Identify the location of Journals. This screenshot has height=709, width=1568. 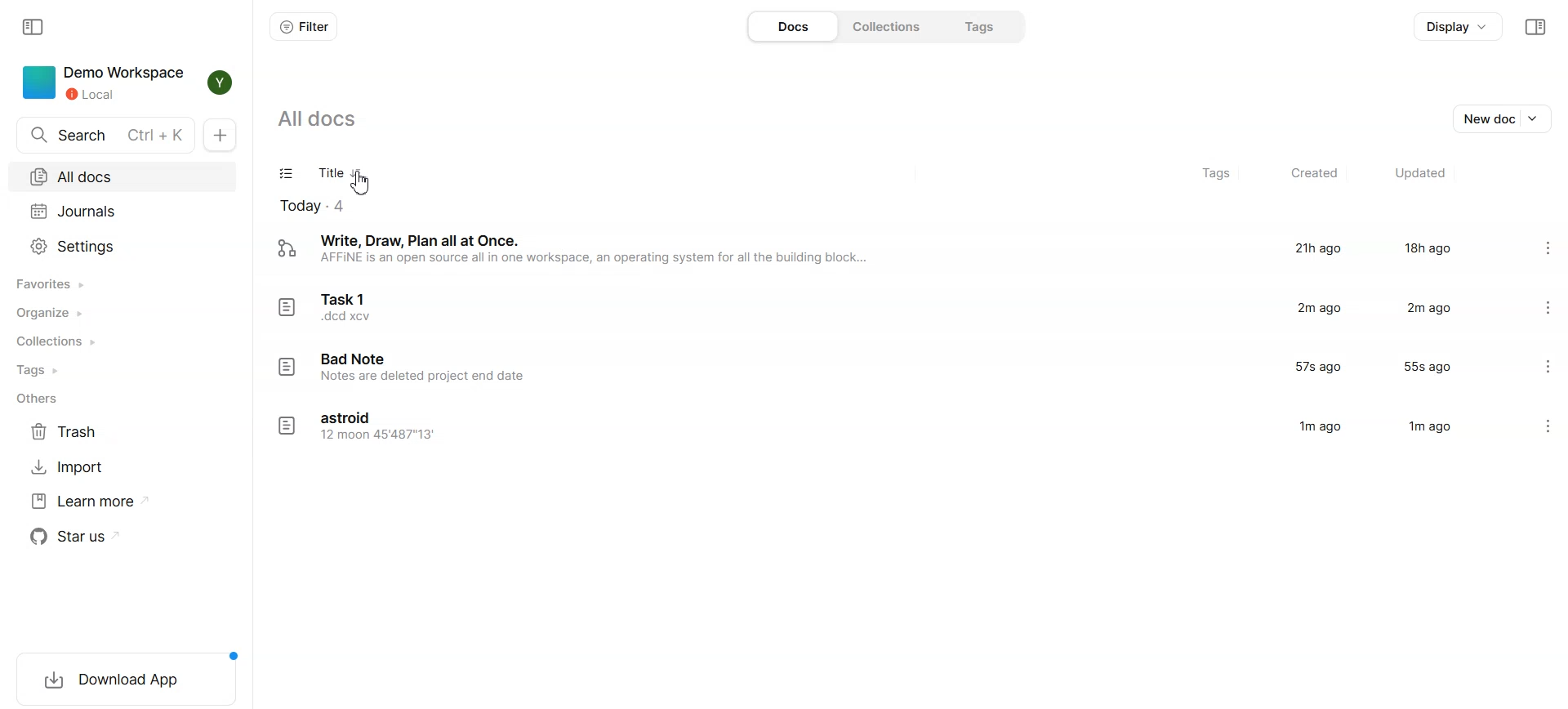
(122, 212).